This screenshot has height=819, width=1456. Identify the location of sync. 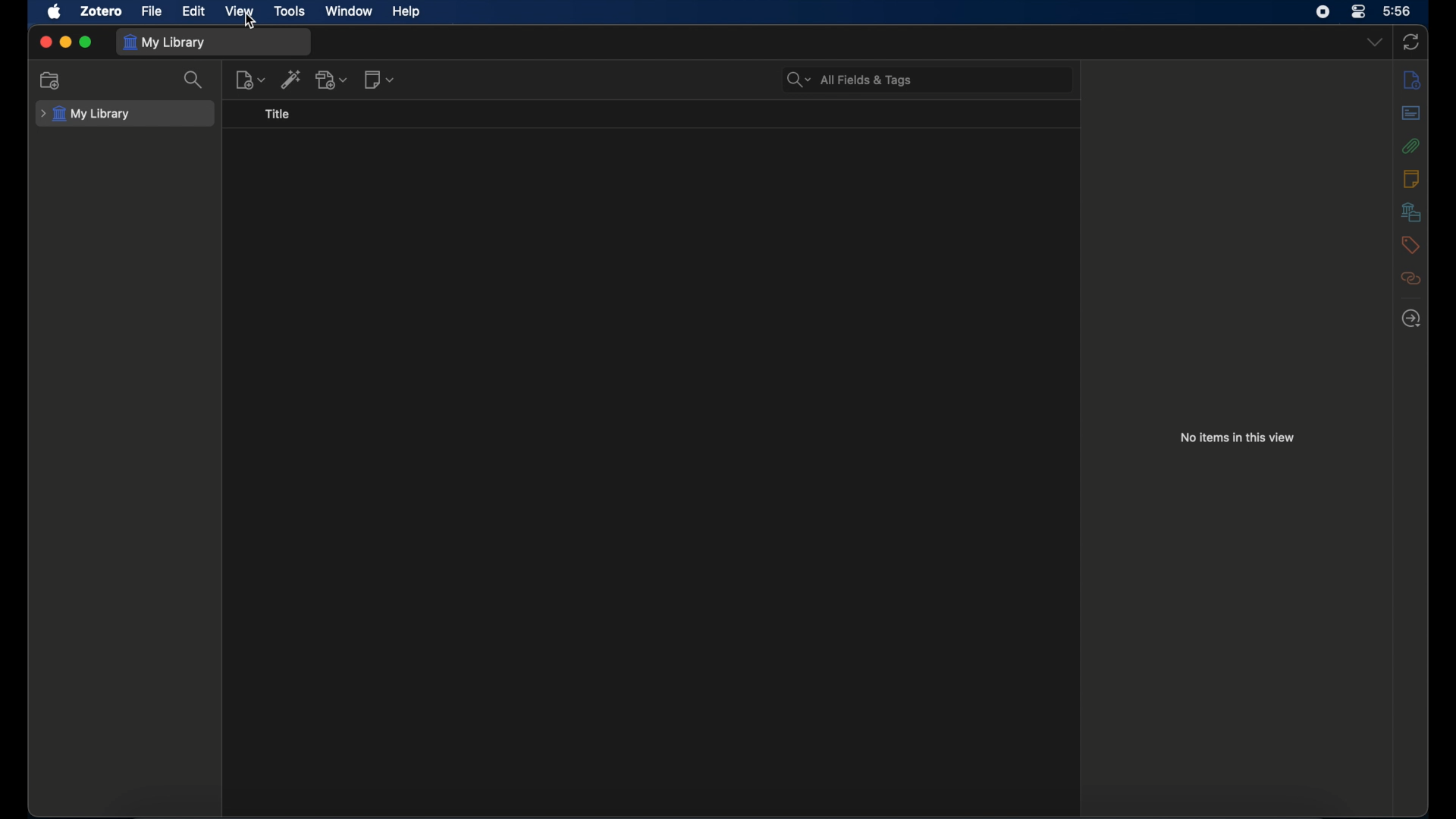
(1411, 42).